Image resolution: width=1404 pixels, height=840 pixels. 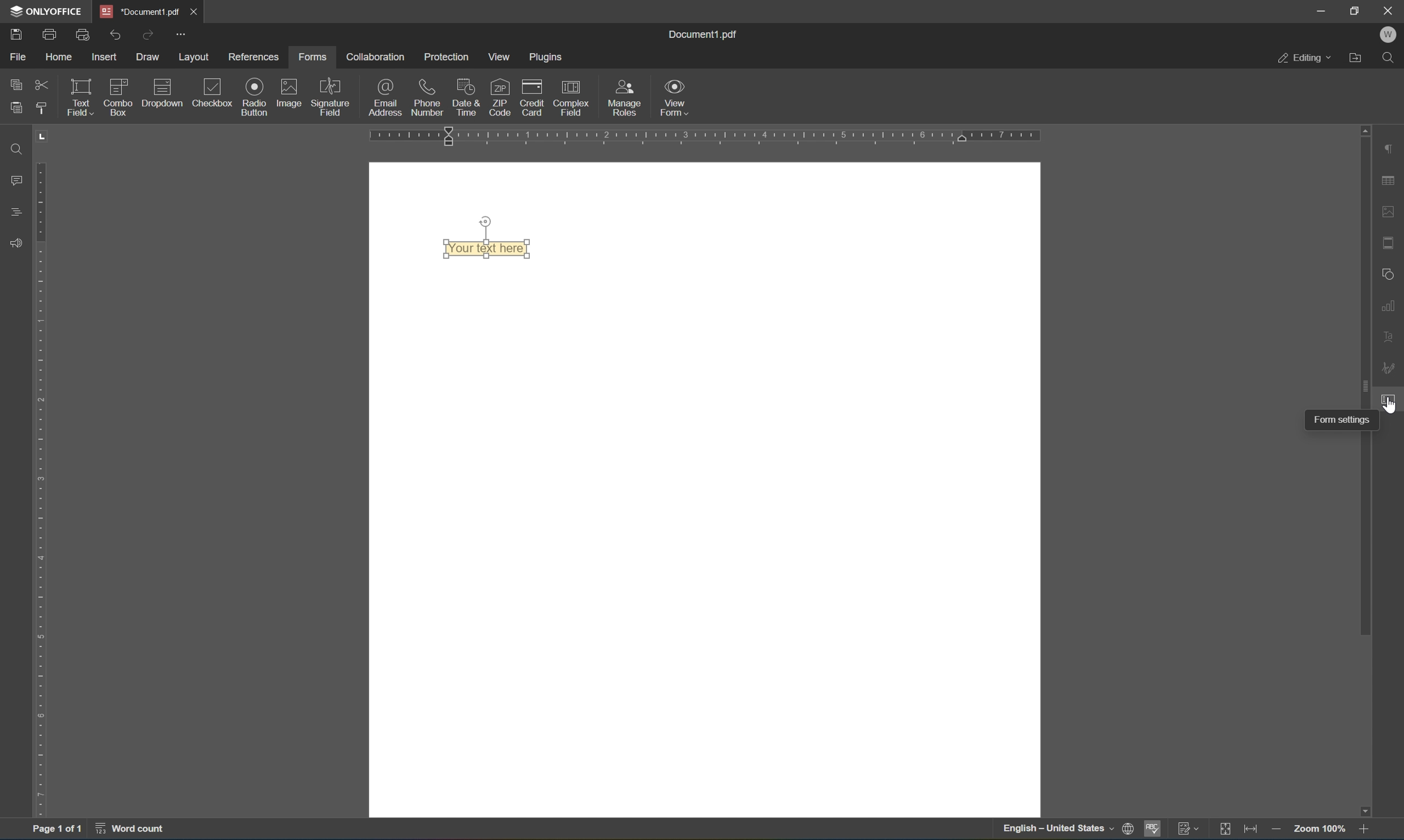 I want to click on plugins, so click(x=546, y=57).